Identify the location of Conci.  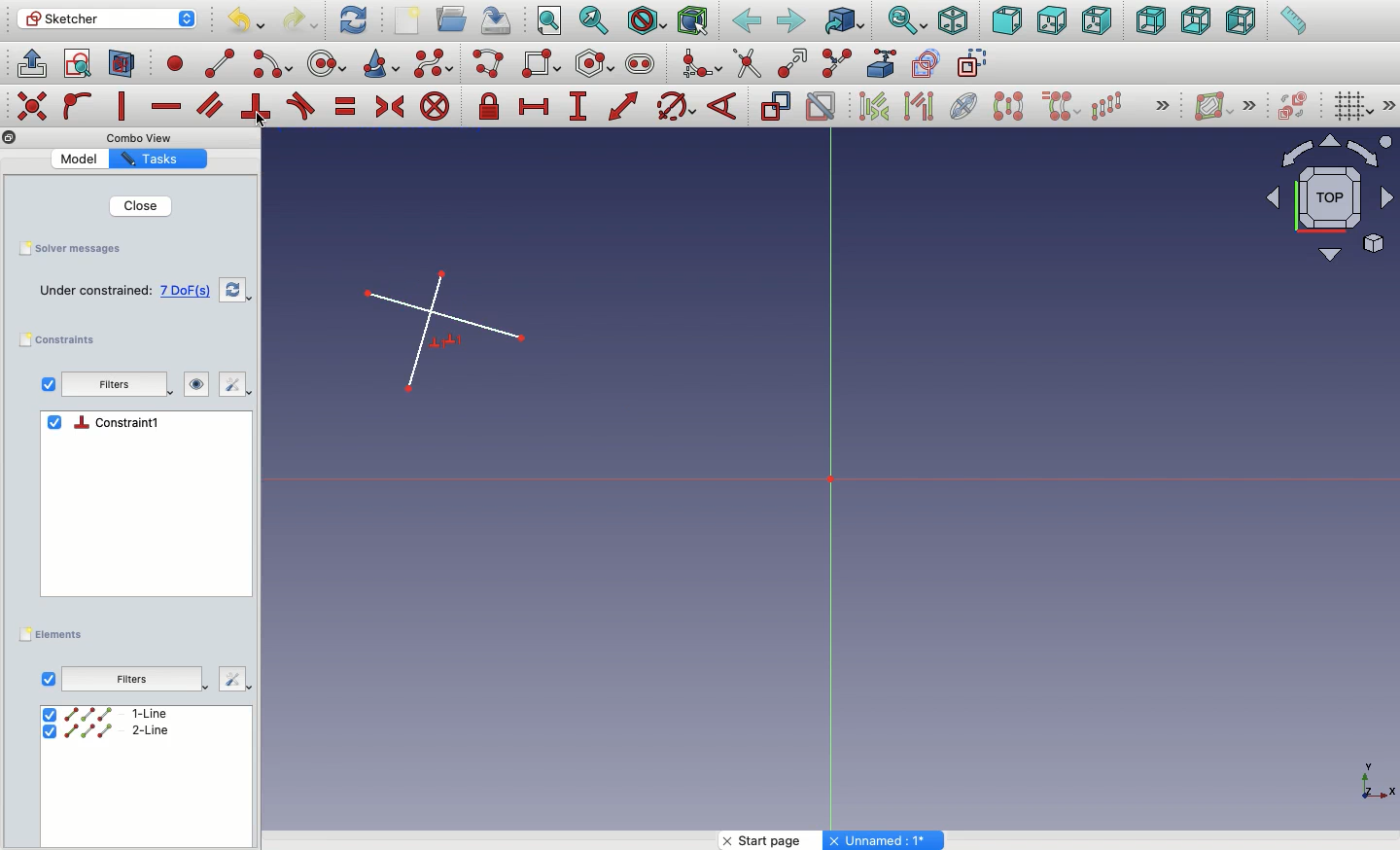
(382, 63).